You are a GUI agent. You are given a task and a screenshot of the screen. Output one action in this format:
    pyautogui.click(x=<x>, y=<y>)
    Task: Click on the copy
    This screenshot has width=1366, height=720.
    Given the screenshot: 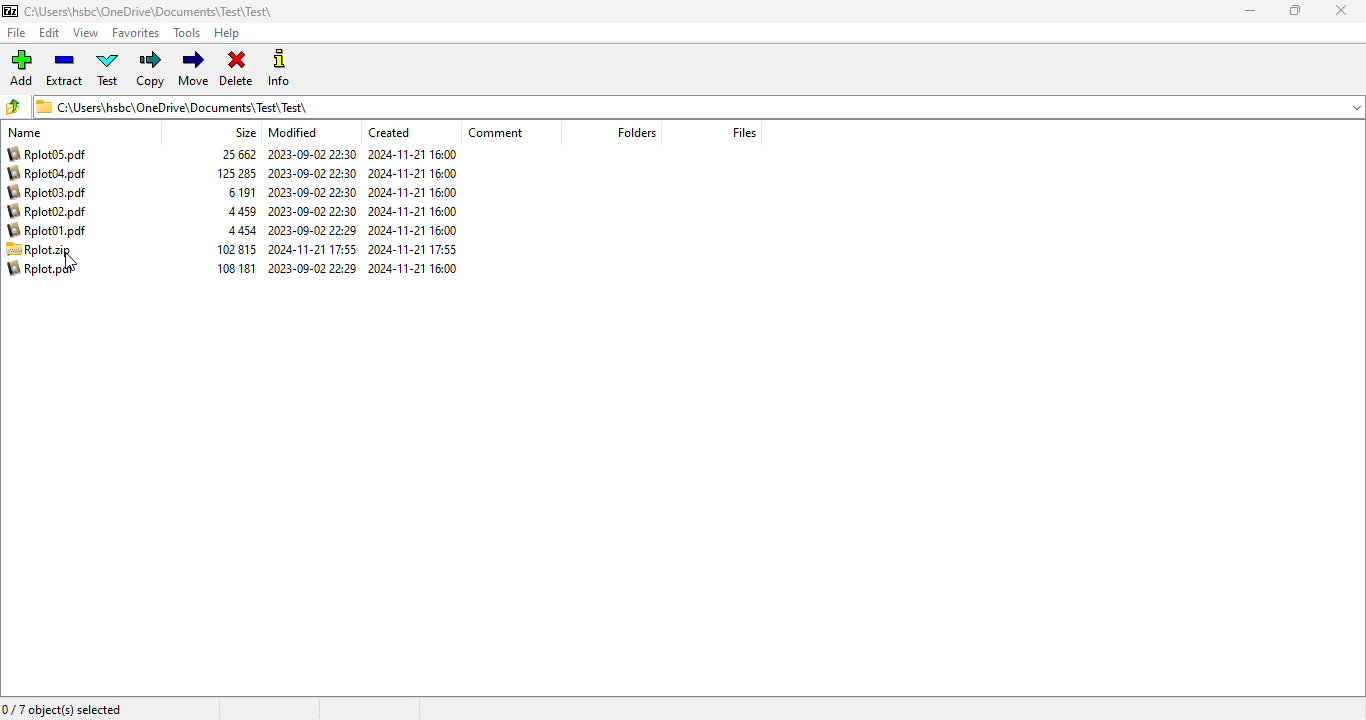 What is the action you would take?
    pyautogui.click(x=151, y=69)
    